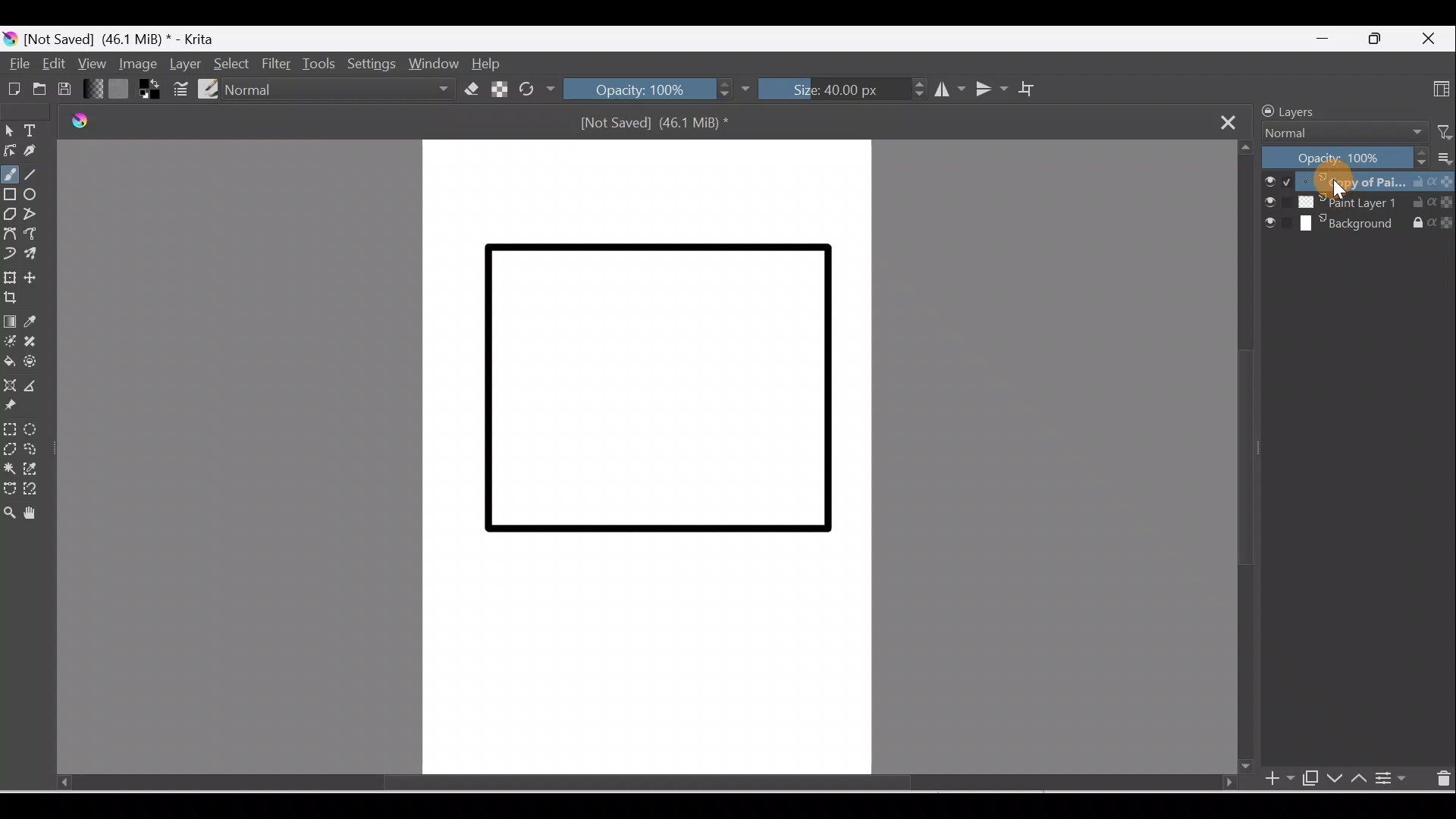  Describe the element at coordinates (944, 91) in the screenshot. I see `Horizontal mirror tool` at that location.